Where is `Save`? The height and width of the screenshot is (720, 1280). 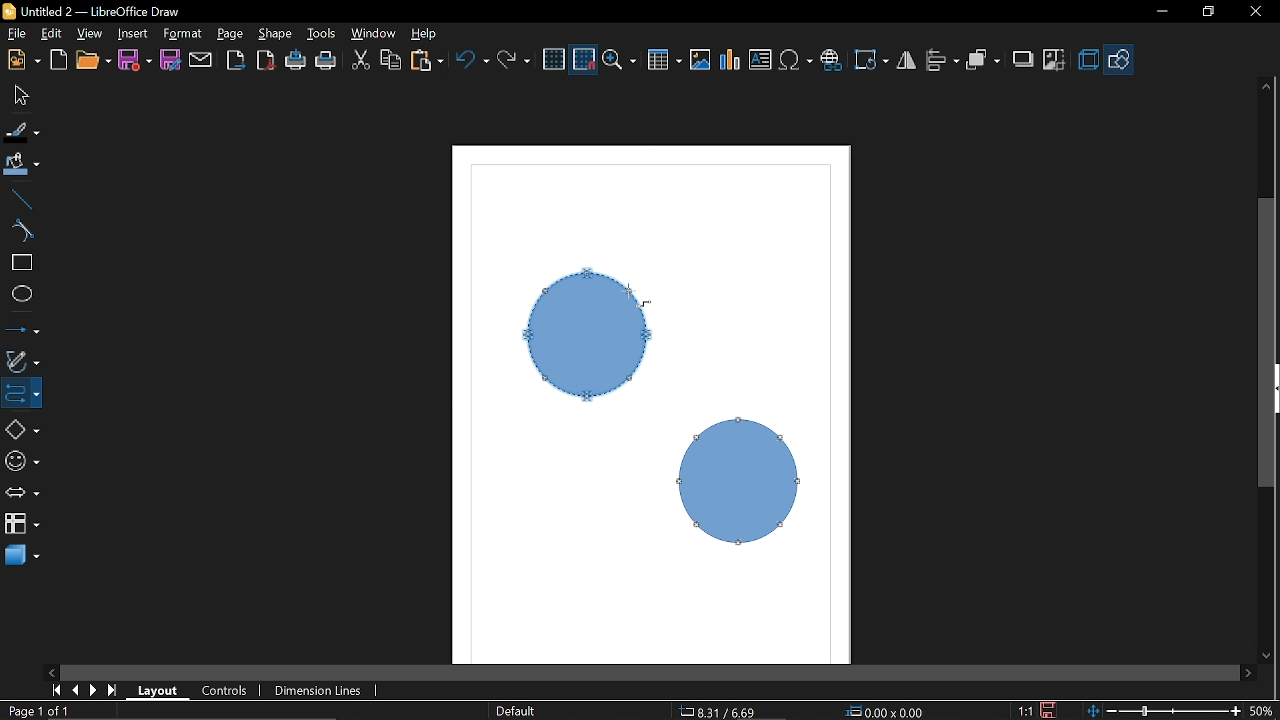
Save is located at coordinates (1051, 709).